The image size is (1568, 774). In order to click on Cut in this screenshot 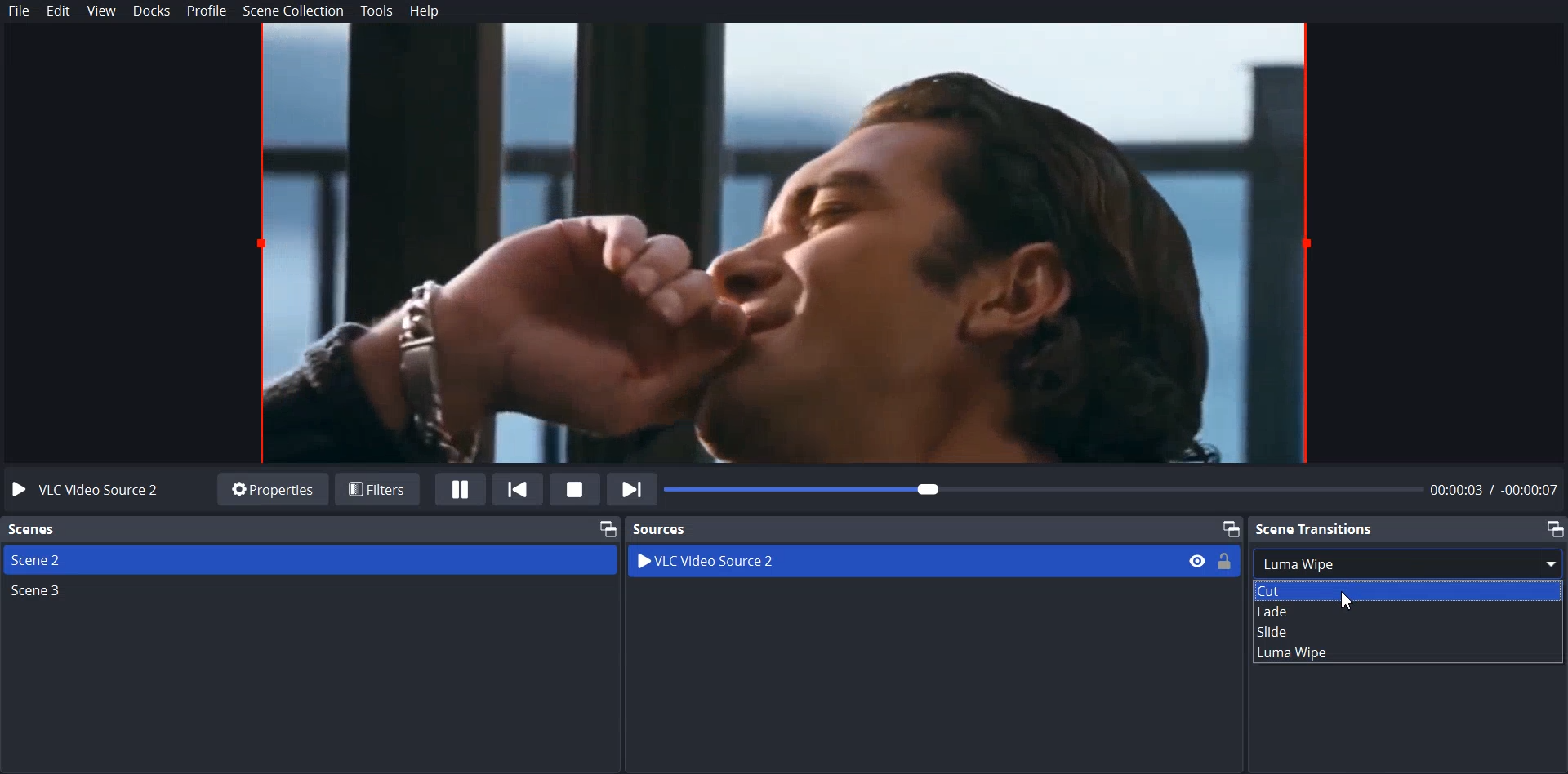, I will do `click(1405, 590)`.